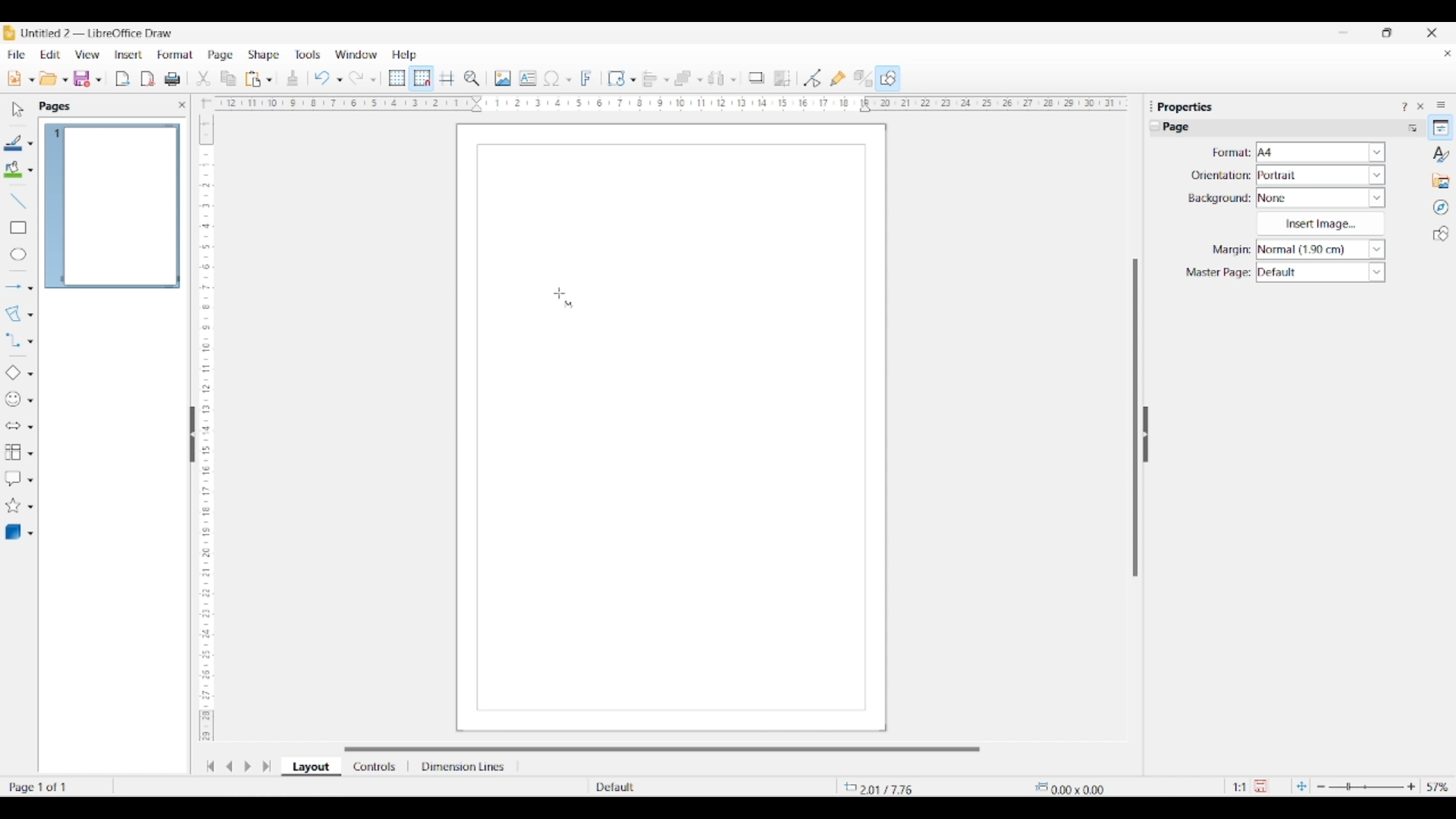 The width and height of the screenshot is (1456, 819). What do you see at coordinates (17, 200) in the screenshot?
I see `Insert line` at bounding box center [17, 200].